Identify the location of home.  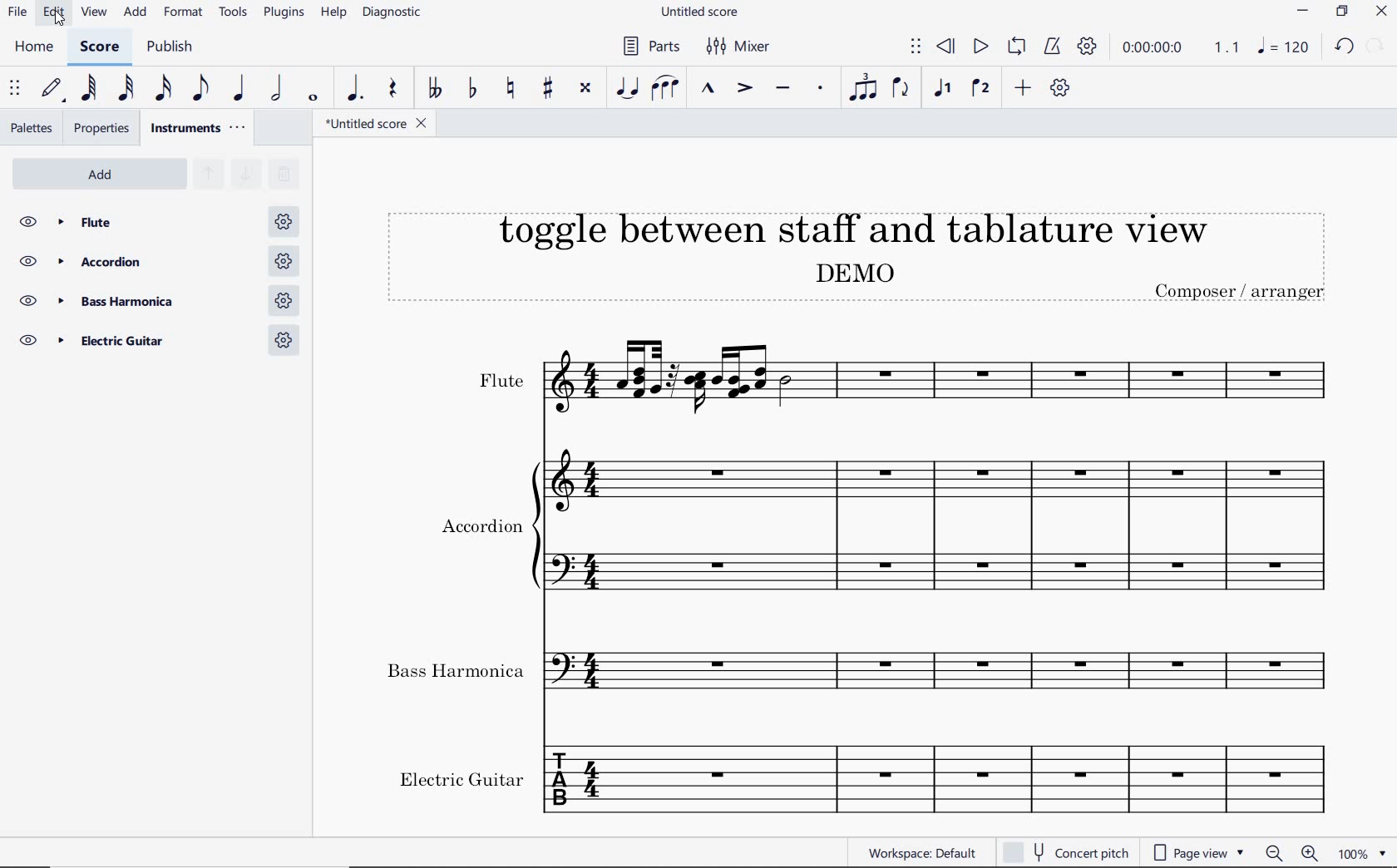
(34, 47).